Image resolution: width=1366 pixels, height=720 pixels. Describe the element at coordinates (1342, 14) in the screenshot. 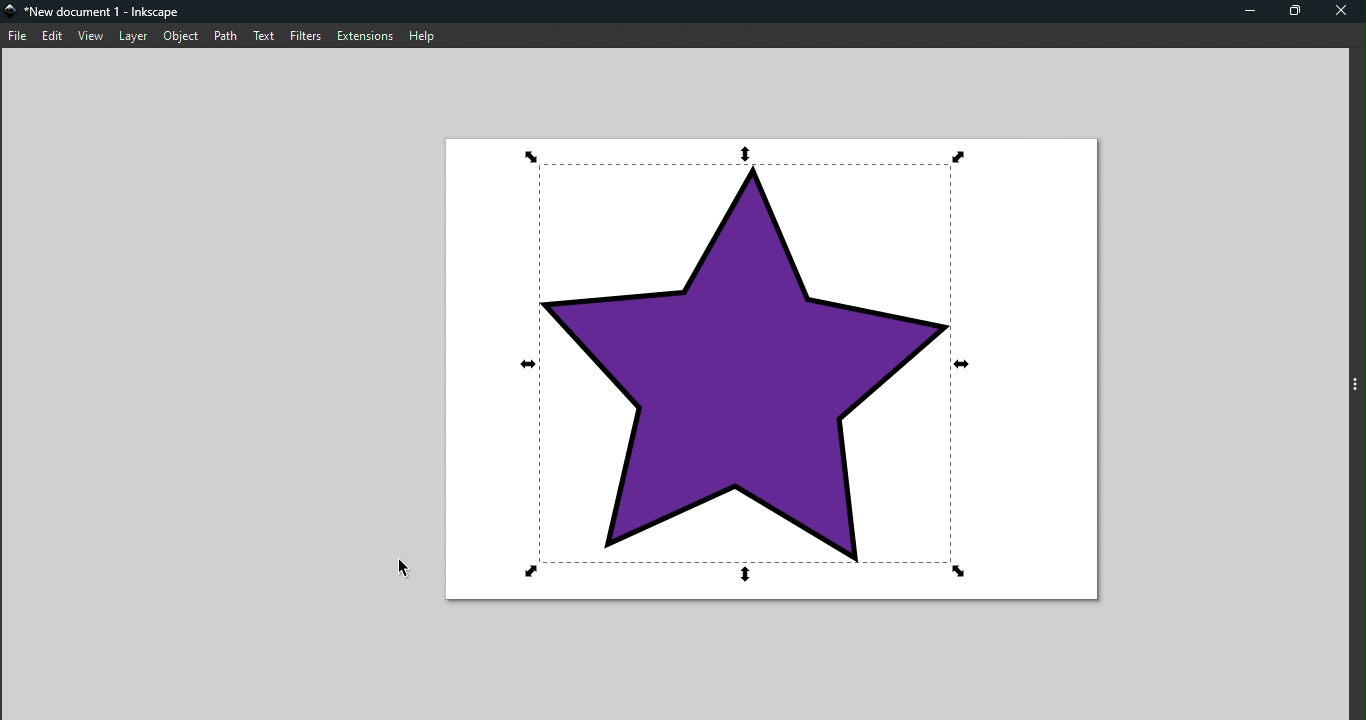

I see `Close` at that location.